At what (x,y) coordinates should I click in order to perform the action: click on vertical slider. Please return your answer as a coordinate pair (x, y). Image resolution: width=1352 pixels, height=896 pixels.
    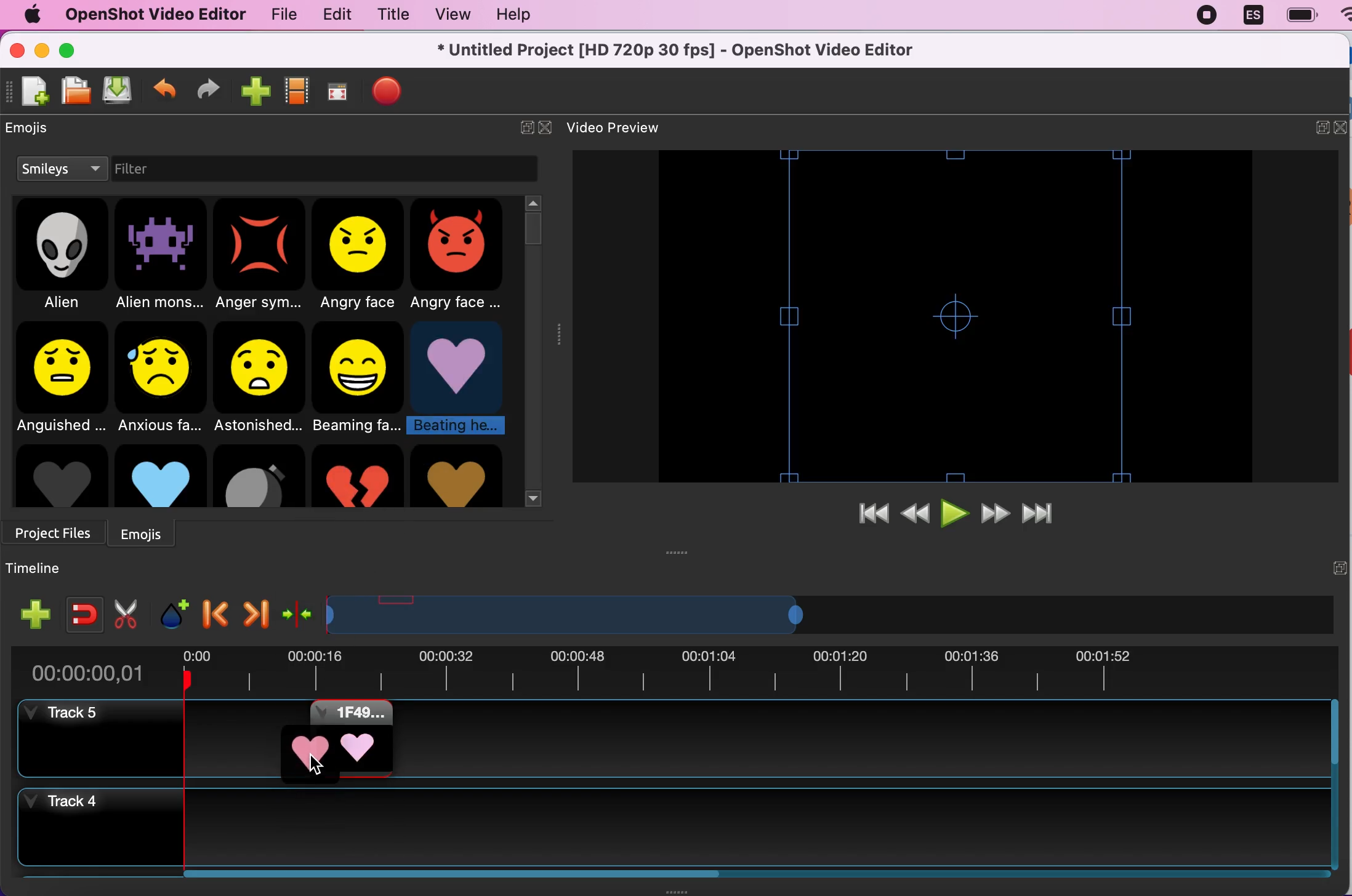
    Looking at the image, I should click on (533, 226).